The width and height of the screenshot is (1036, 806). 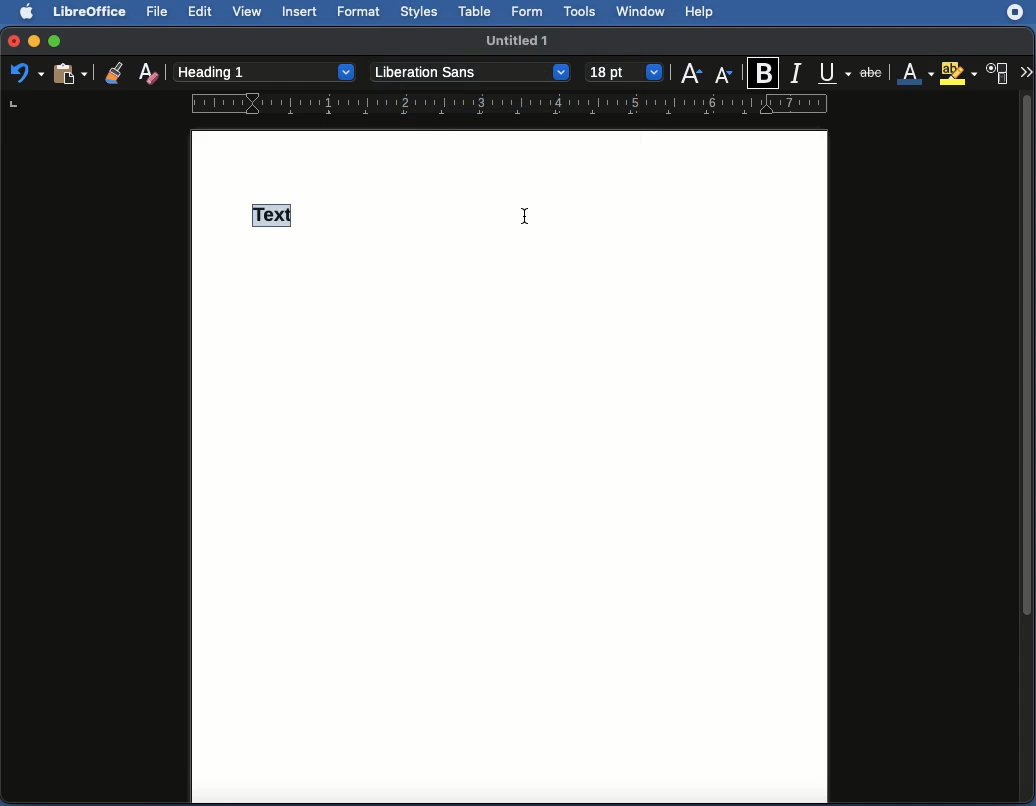 What do you see at coordinates (1026, 73) in the screenshot?
I see `More` at bounding box center [1026, 73].